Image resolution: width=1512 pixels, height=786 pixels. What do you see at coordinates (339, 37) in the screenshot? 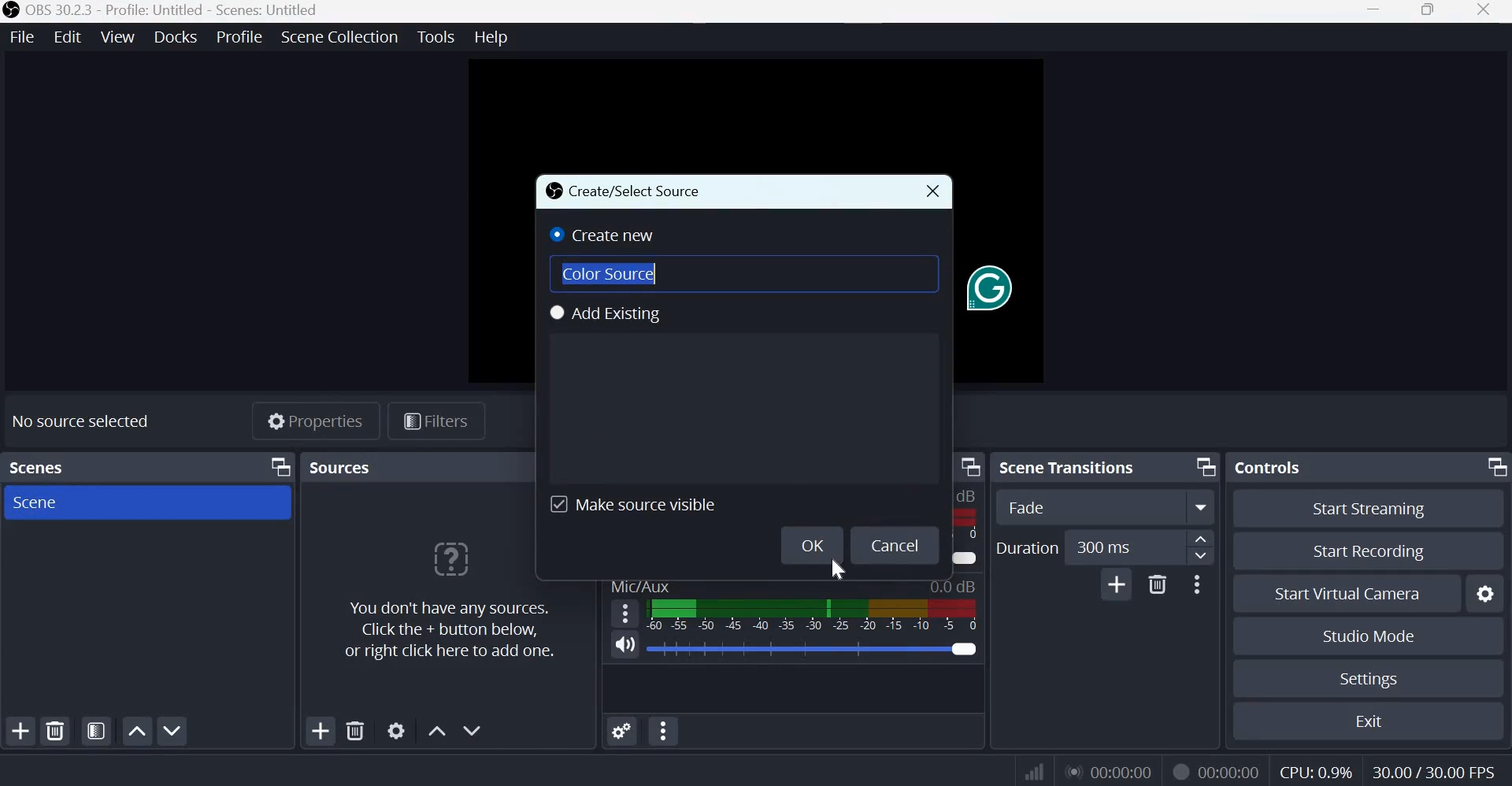
I see `Scene Collection` at bounding box center [339, 37].